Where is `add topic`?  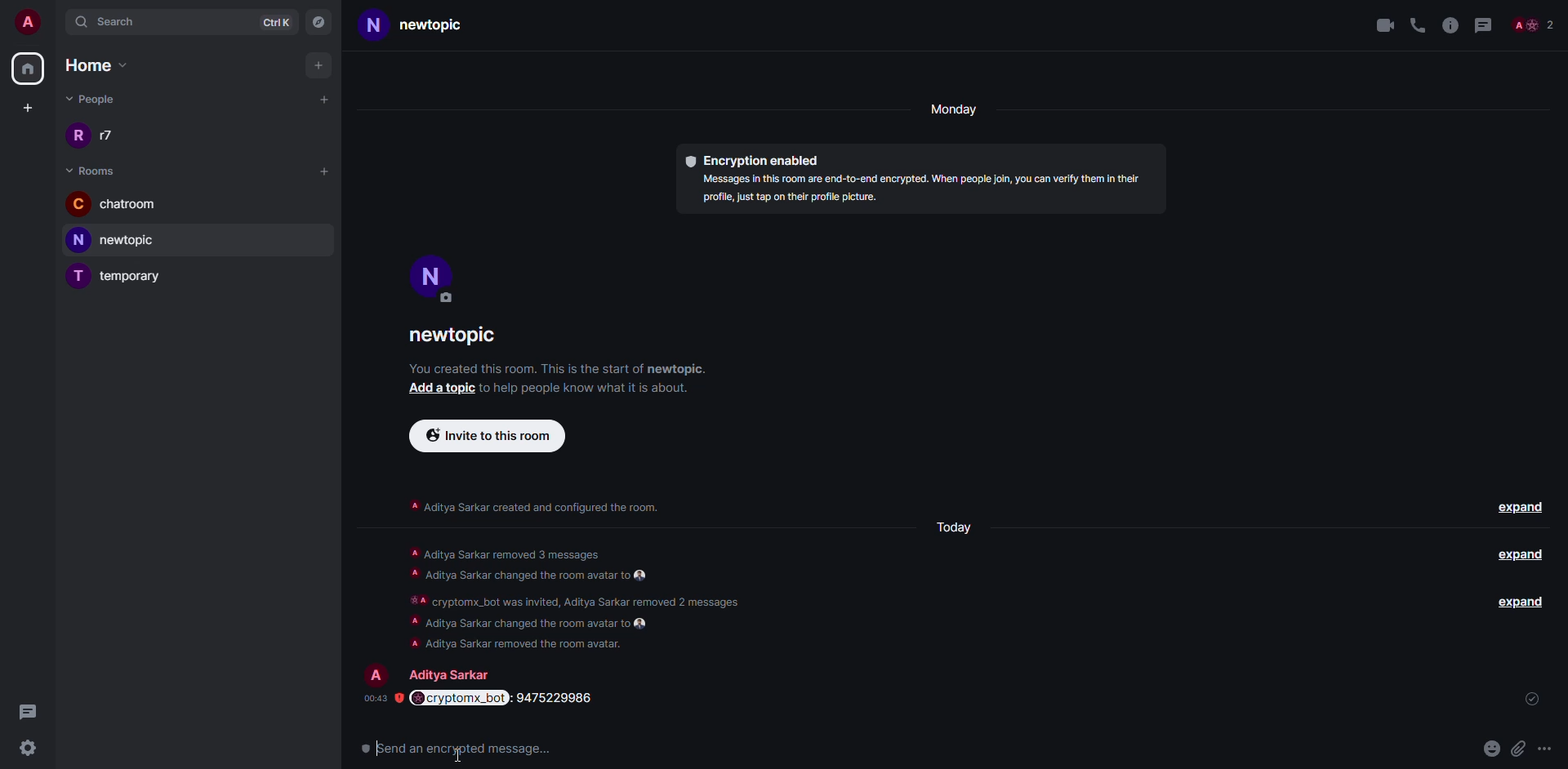 add topic is located at coordinates (442, 391).